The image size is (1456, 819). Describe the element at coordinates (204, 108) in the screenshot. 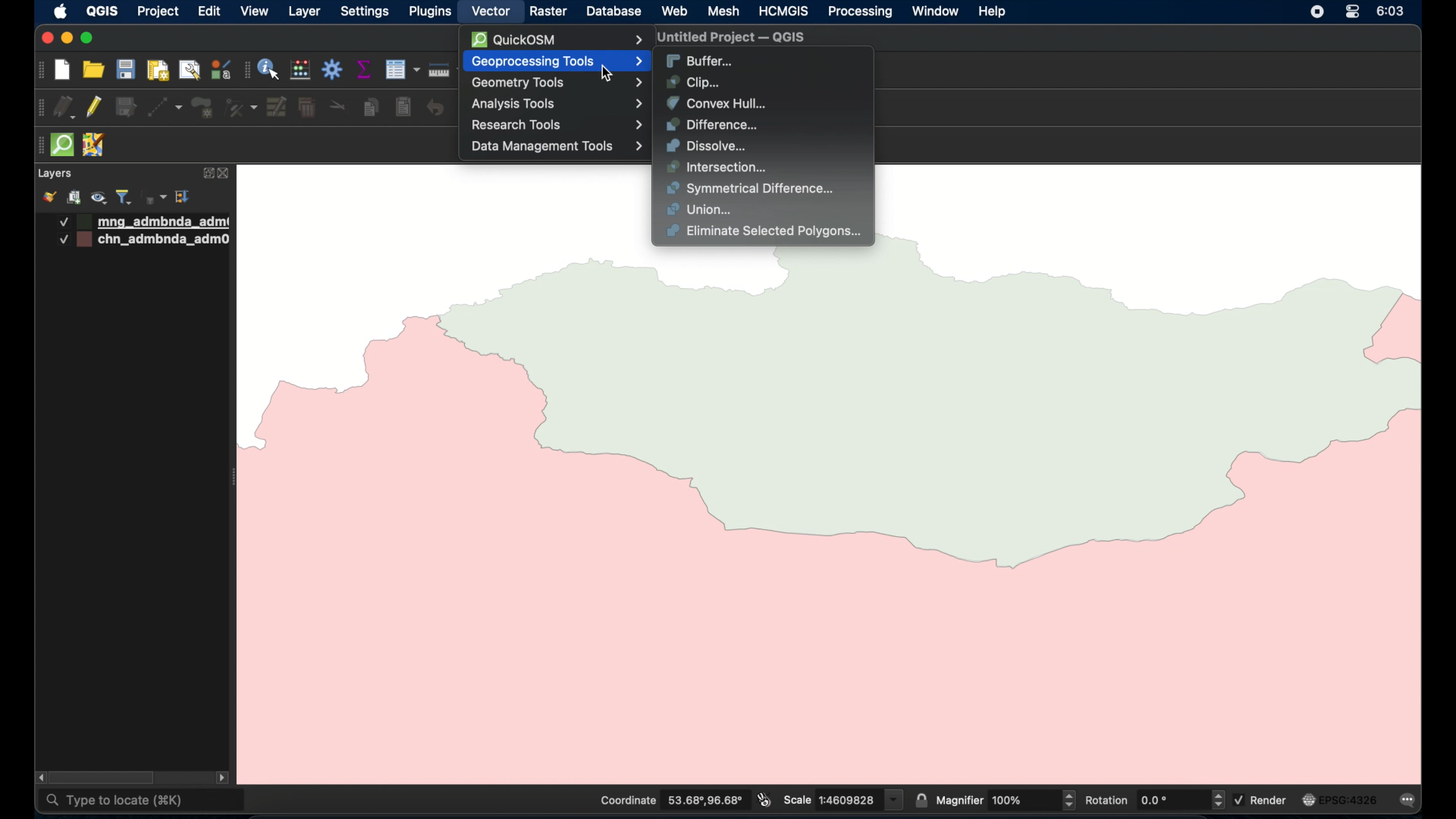

I see `add polygon` at that location.